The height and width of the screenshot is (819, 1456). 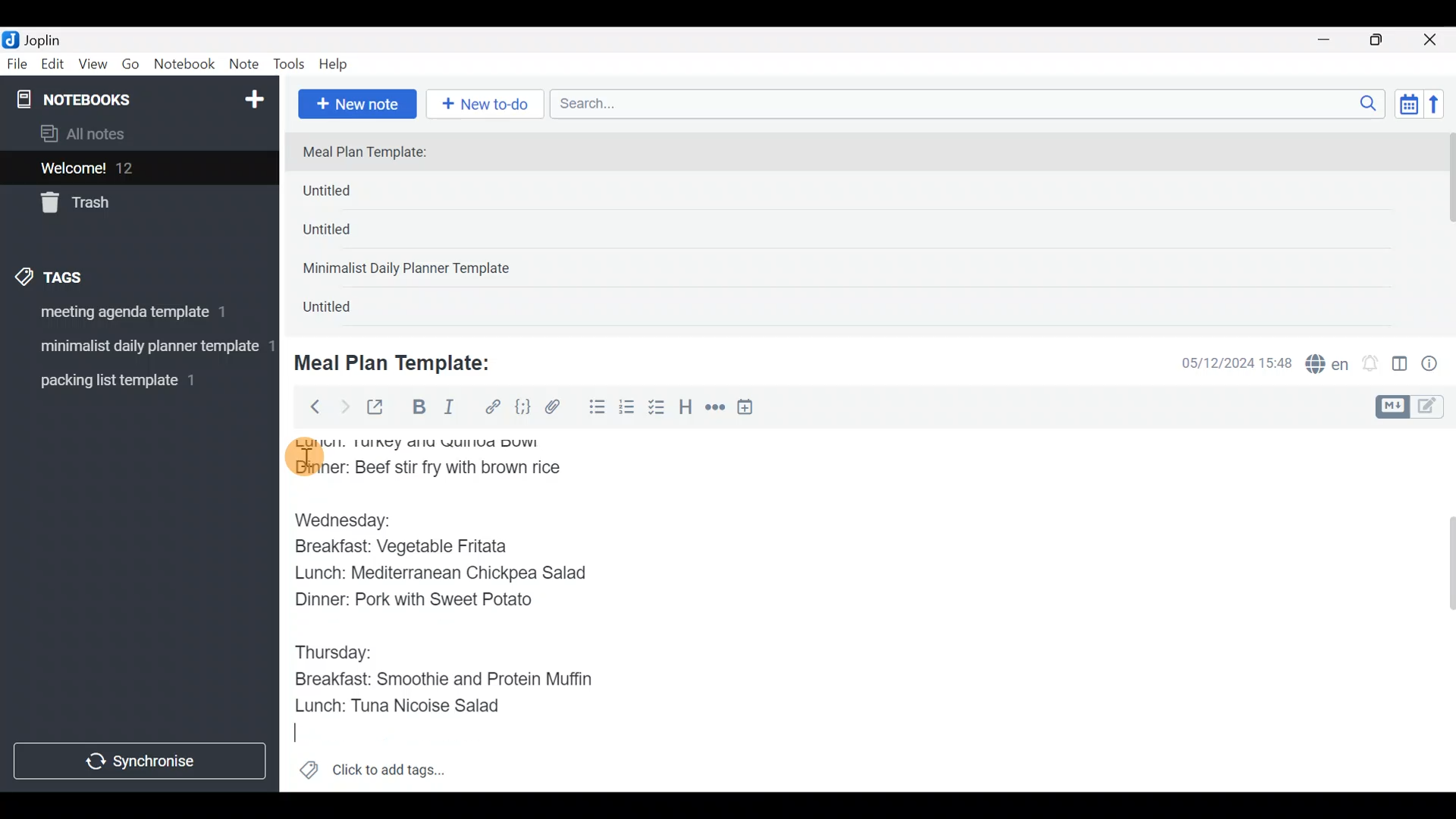 What do you see at coordinates (1332, 38) in the screenshot?
I see `Minimize` at bounding box center [1332, 38].